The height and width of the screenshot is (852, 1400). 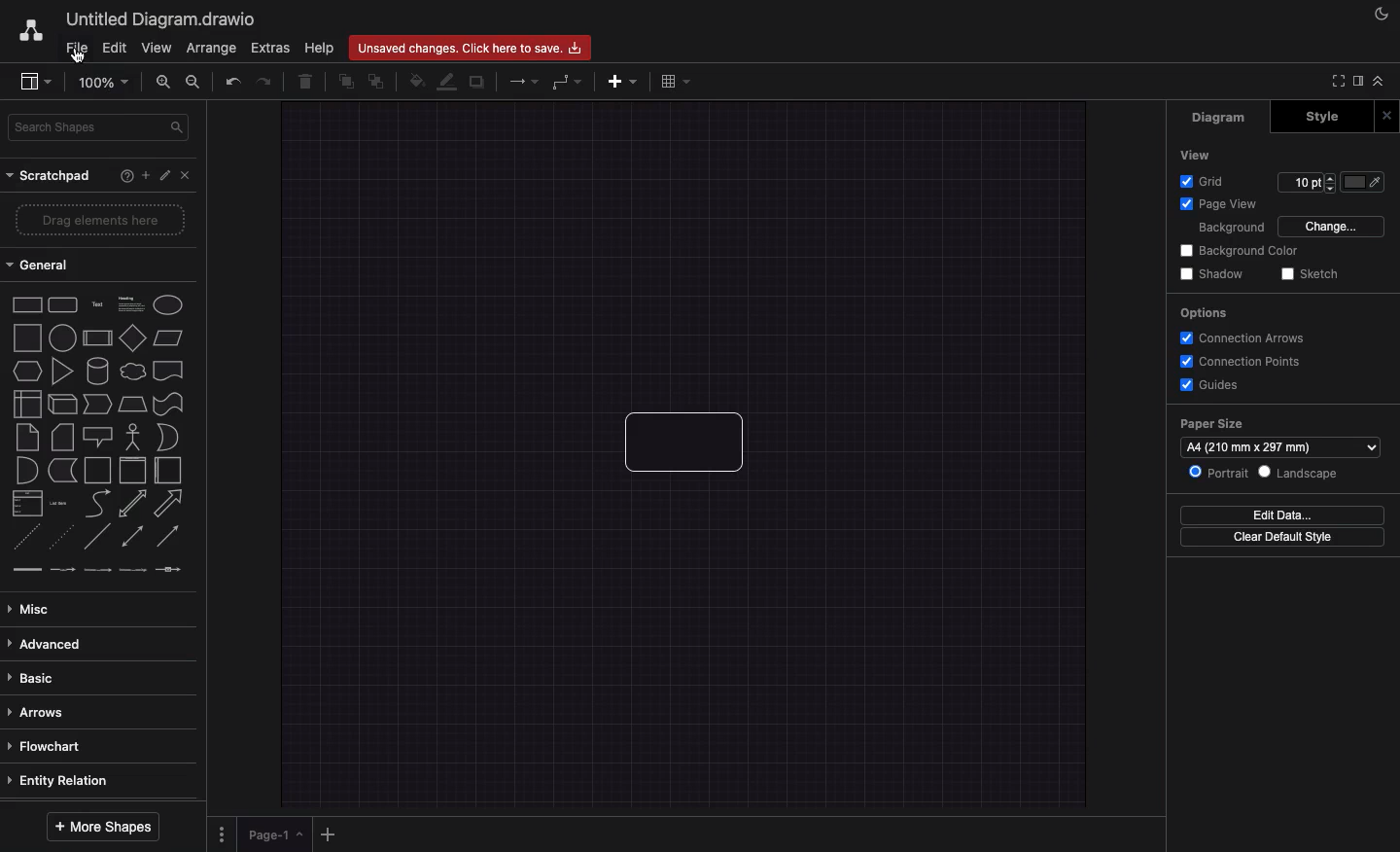 What do you see at coordinates (1312, 274) in the screenshot?
I see `Sketch` at bounding box center [1312, 274].